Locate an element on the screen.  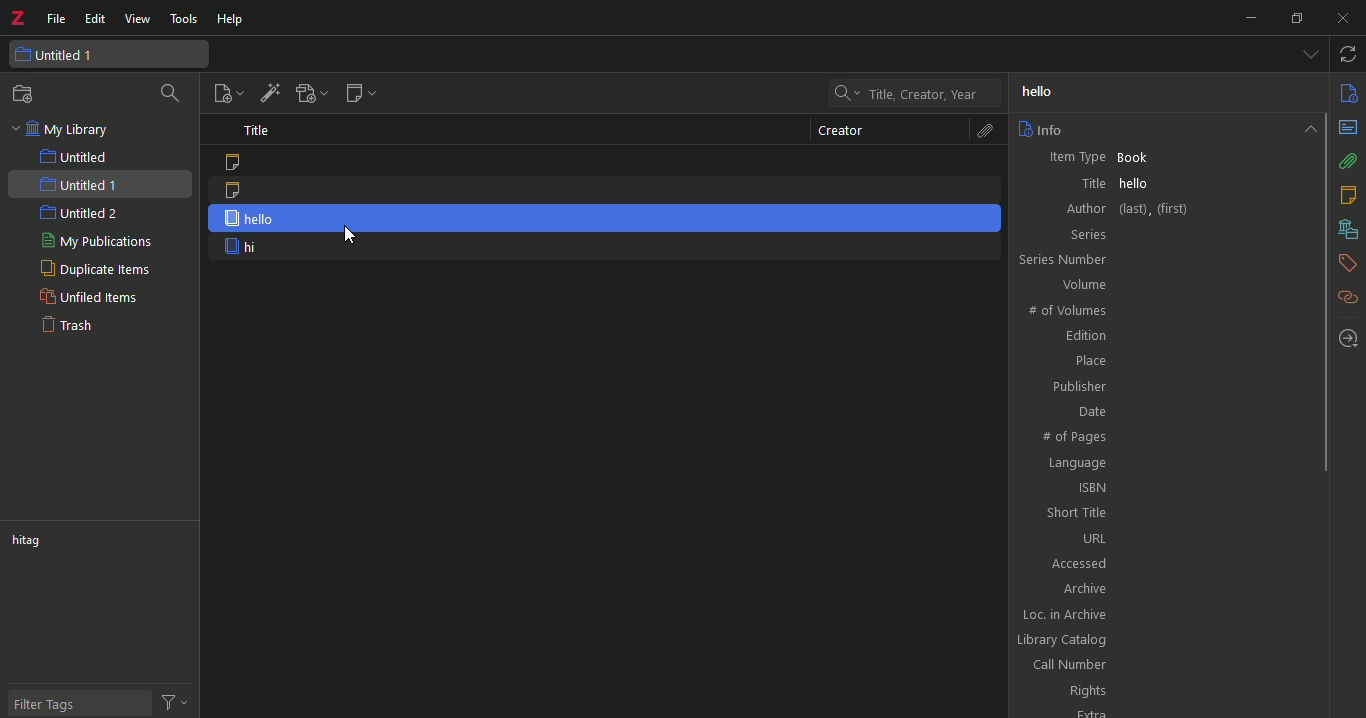
date is located at coordinates (1092, 411).